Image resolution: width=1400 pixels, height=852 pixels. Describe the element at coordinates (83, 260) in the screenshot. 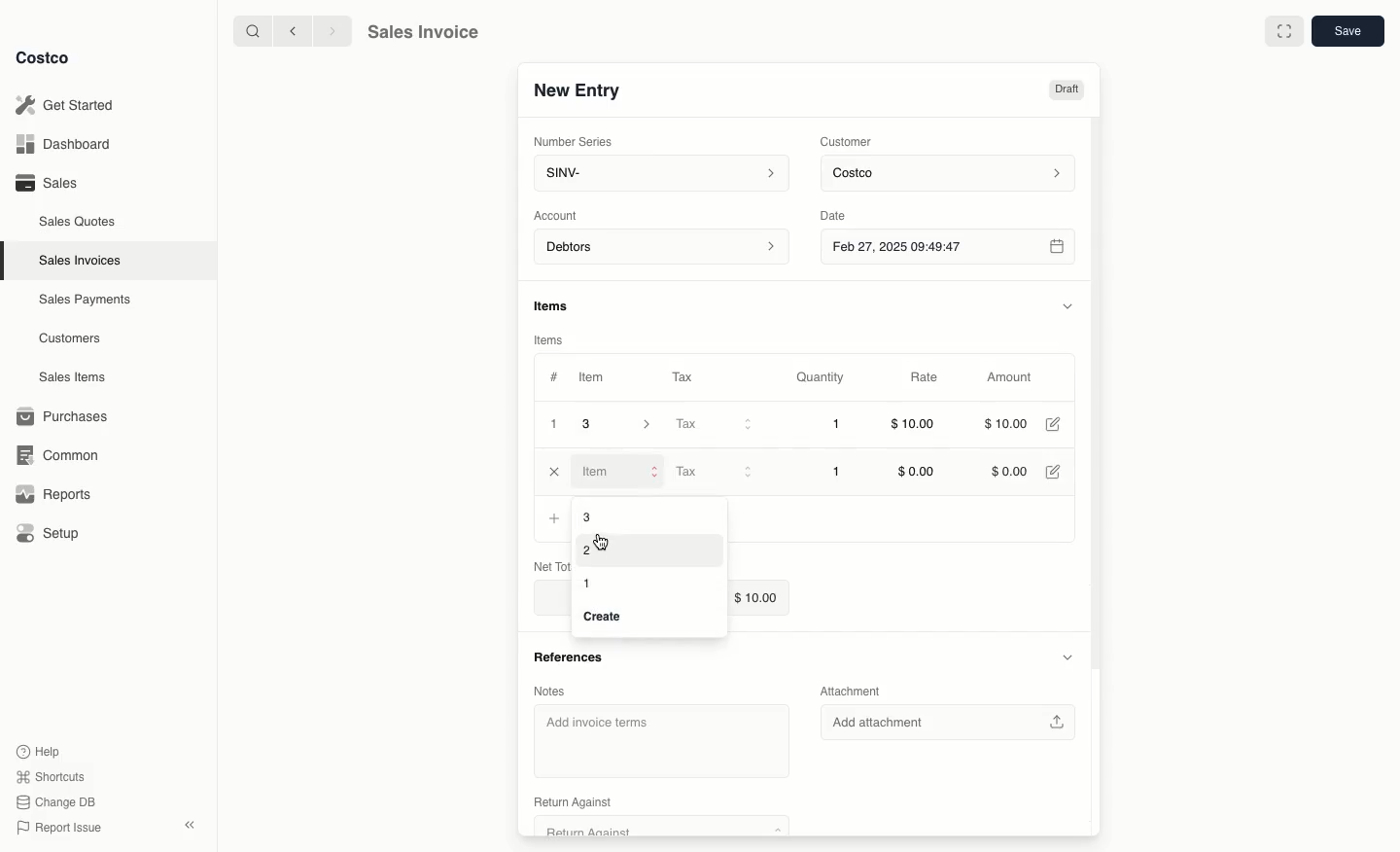

I see `Sales Invoices` at that location.